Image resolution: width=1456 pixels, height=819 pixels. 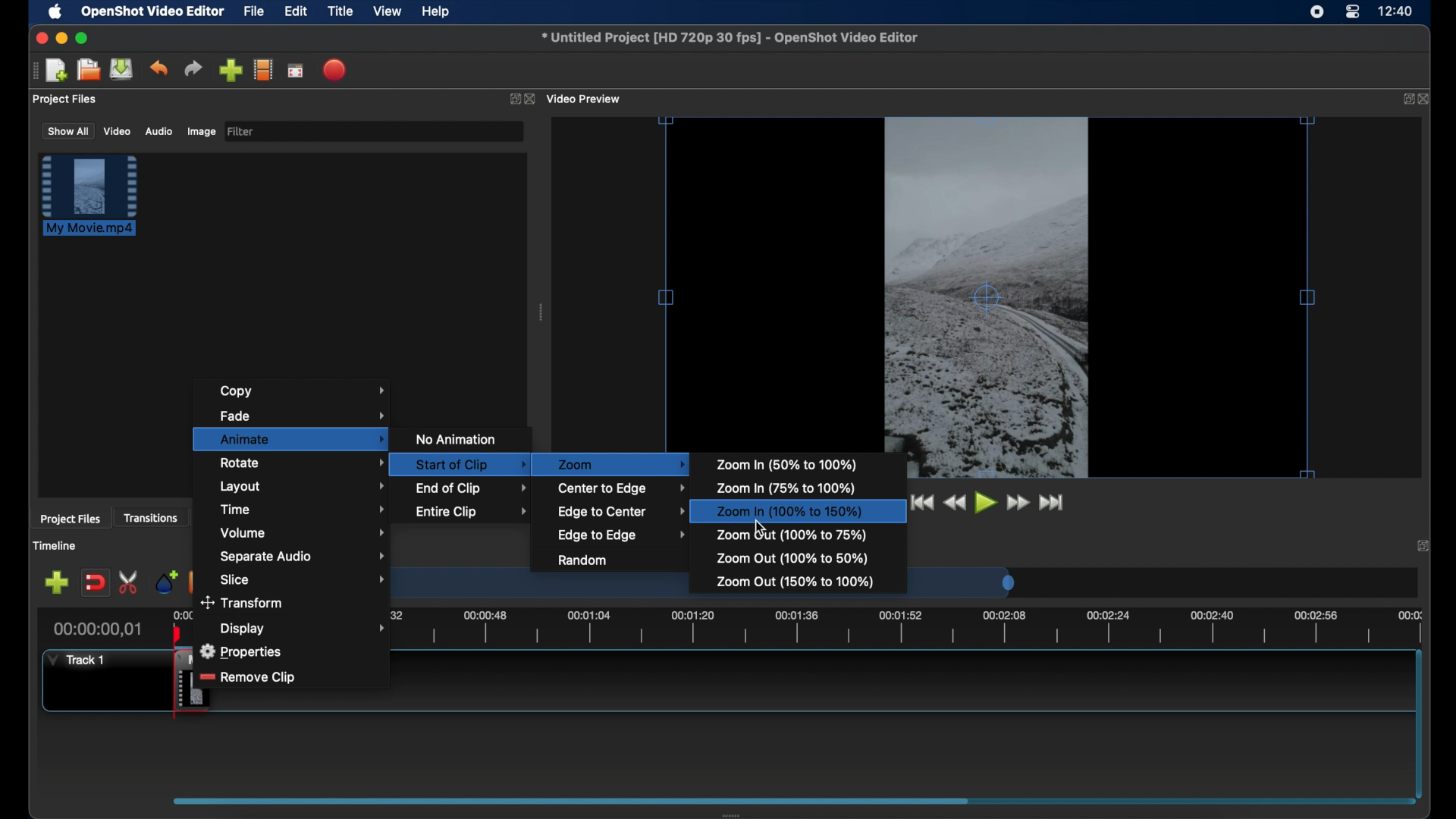 I want to click on expand, so click(x=1405, y=99).